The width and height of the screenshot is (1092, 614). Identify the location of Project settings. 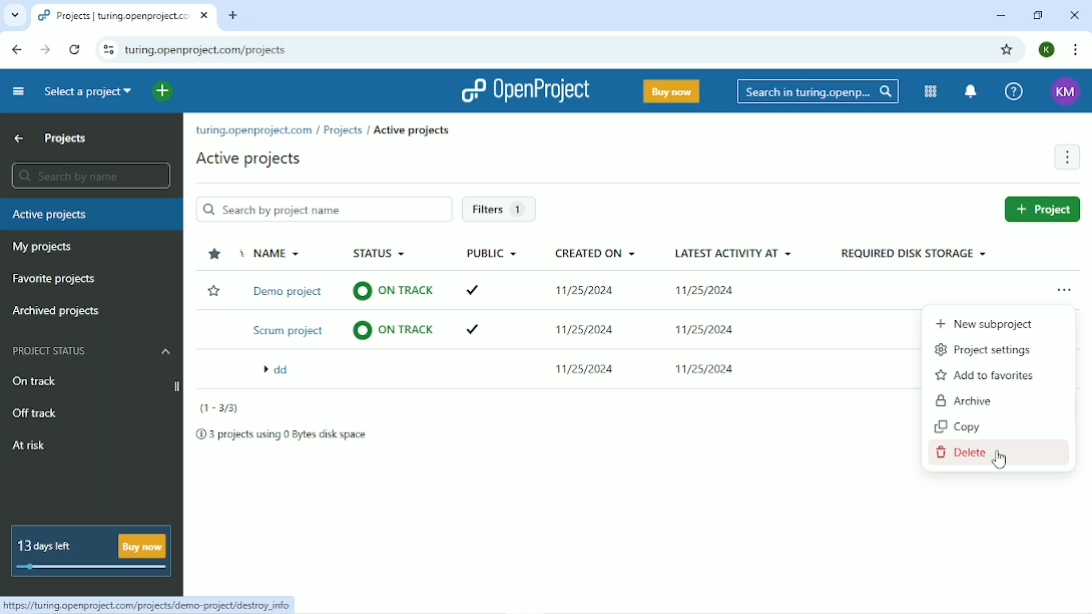
(984, 348).